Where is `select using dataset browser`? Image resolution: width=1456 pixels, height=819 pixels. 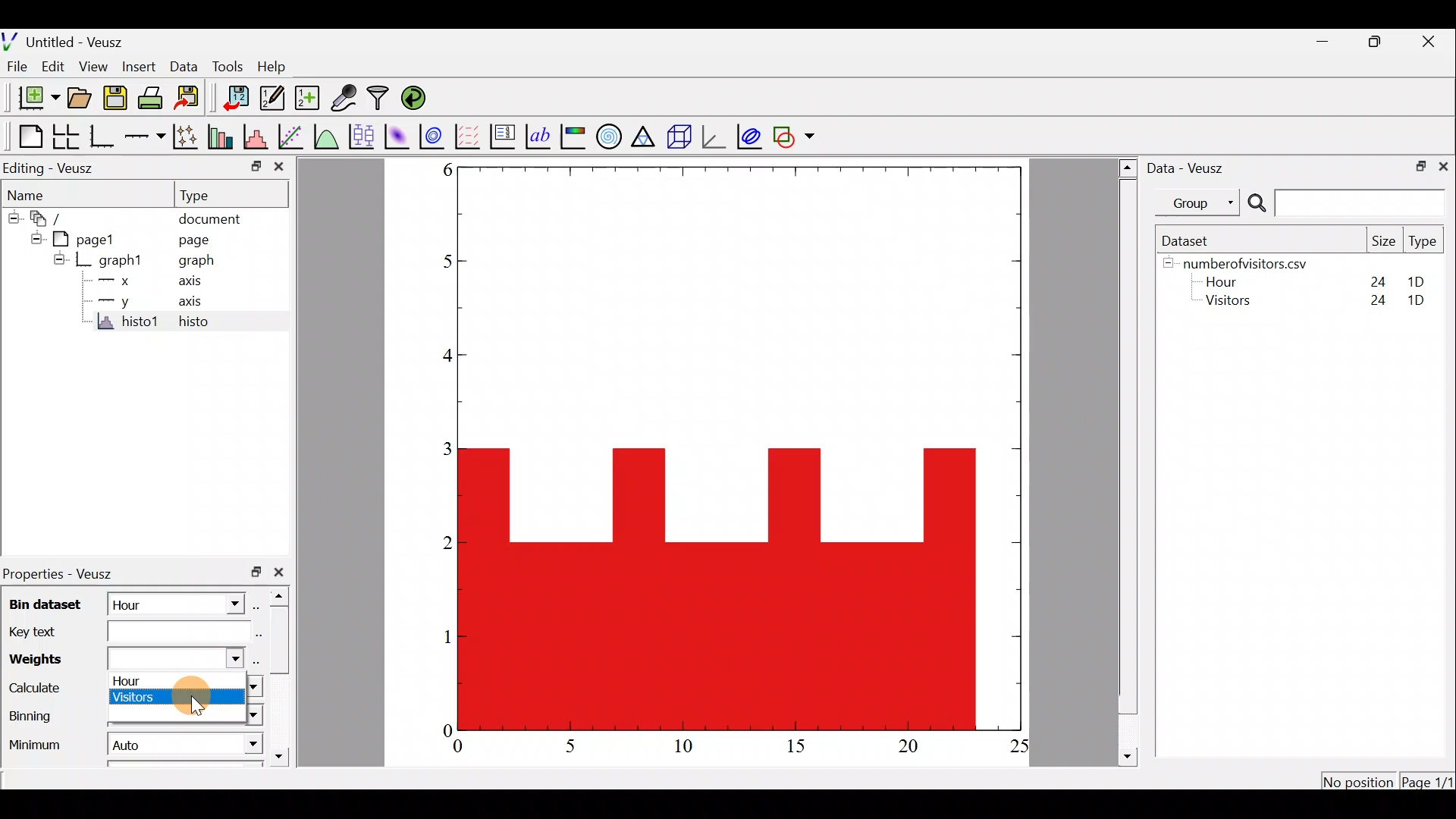
select using dataset browser is located at coordinates (259, 605).